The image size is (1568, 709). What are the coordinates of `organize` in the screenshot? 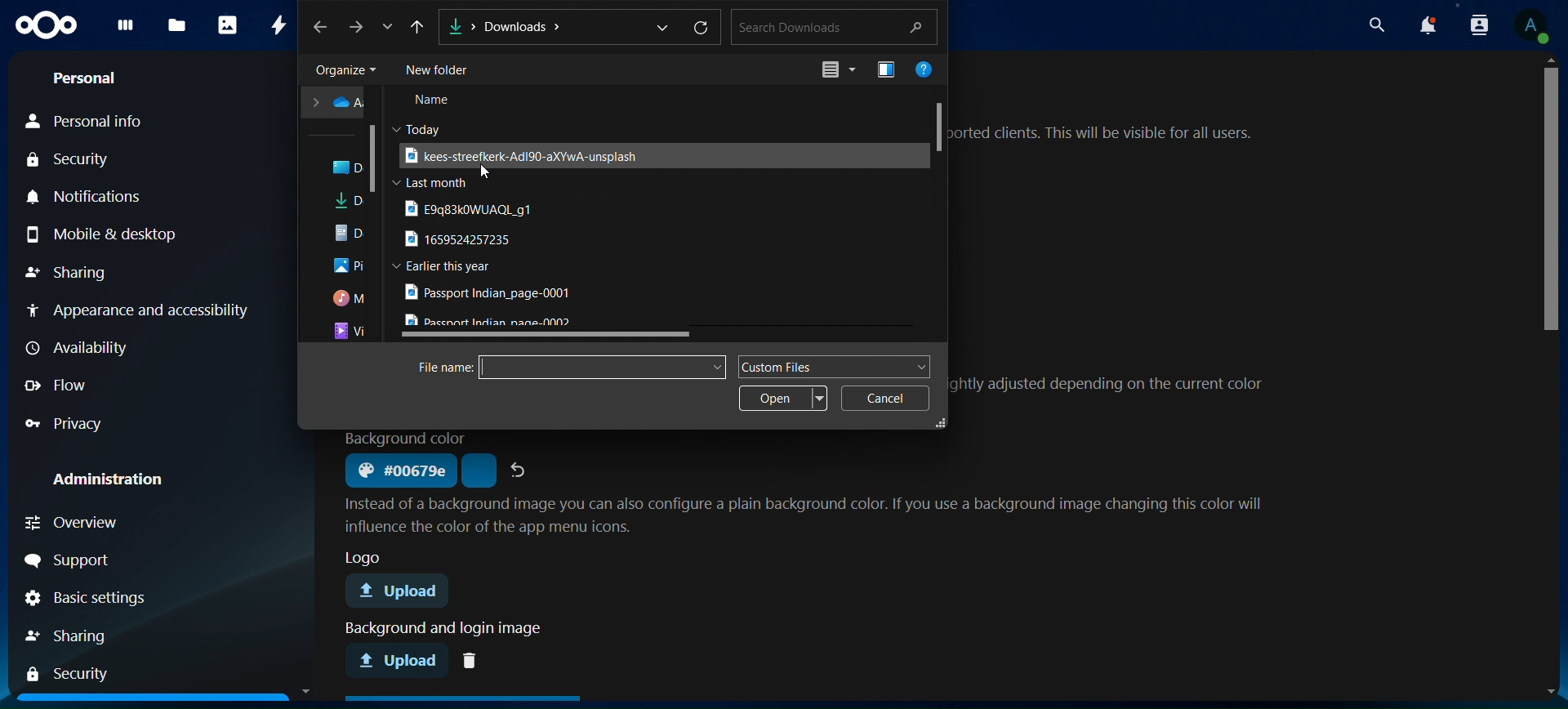 It's located at (344, 70).